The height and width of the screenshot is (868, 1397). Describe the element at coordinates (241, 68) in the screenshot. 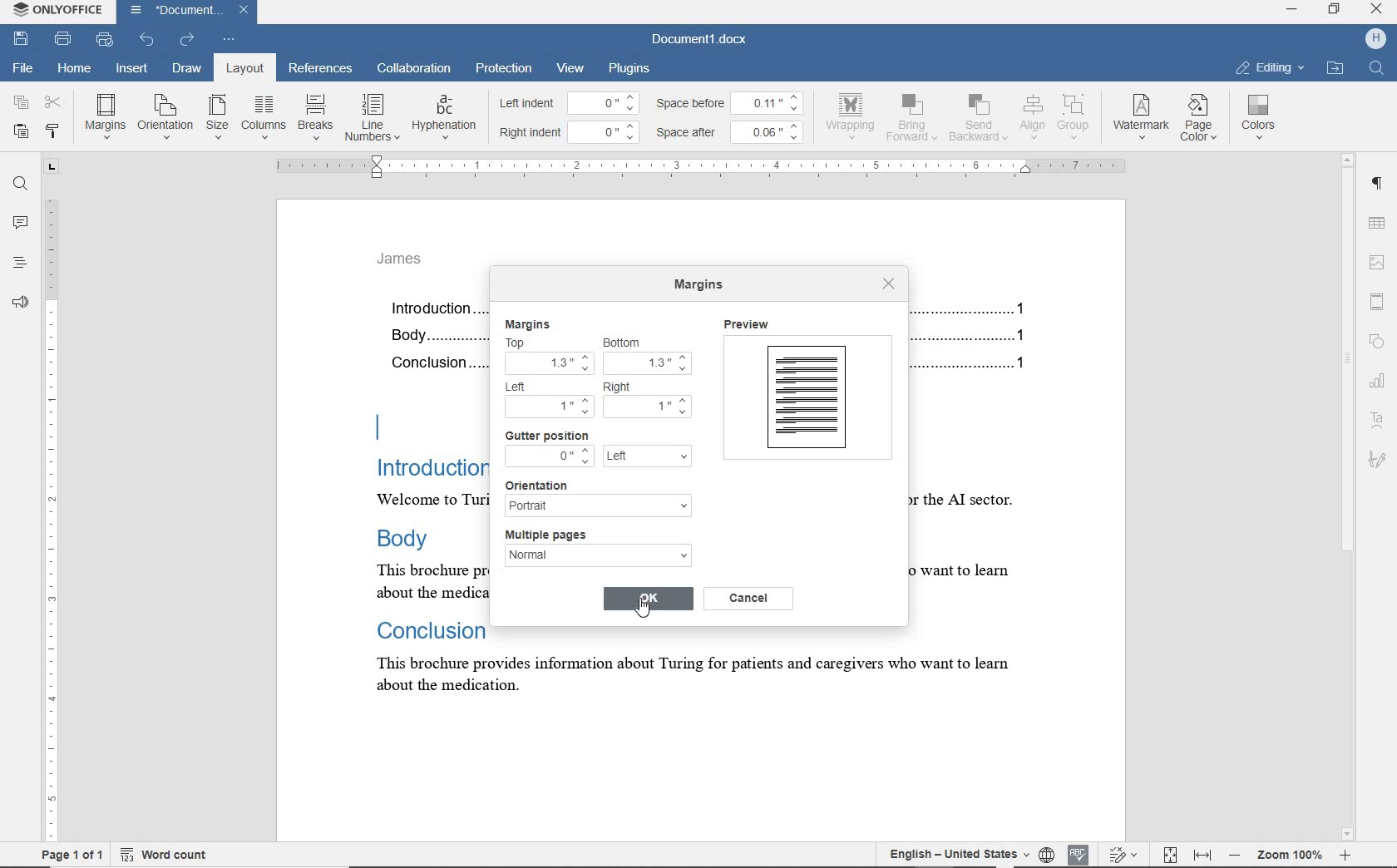

I see `layout` at that location.